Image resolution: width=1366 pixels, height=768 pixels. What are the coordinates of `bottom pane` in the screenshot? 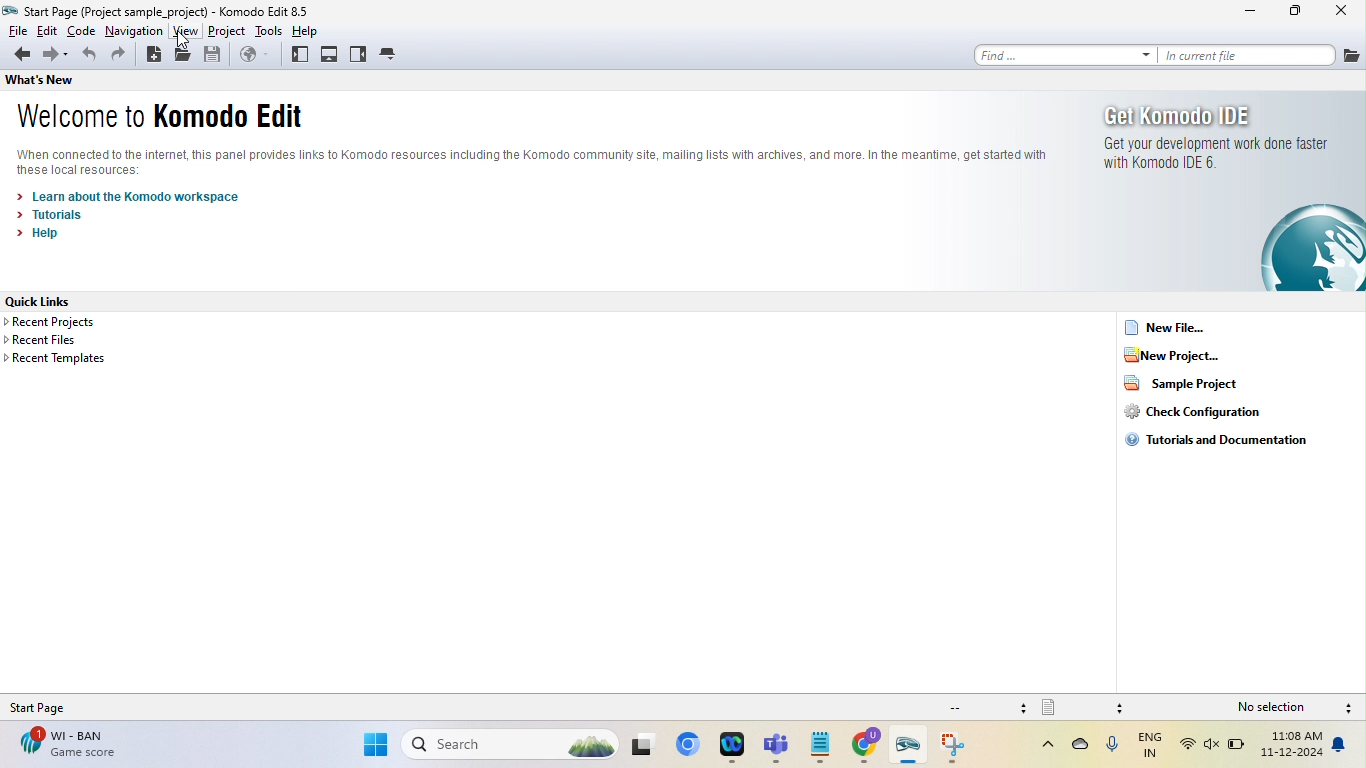 It's located at (329, 54).